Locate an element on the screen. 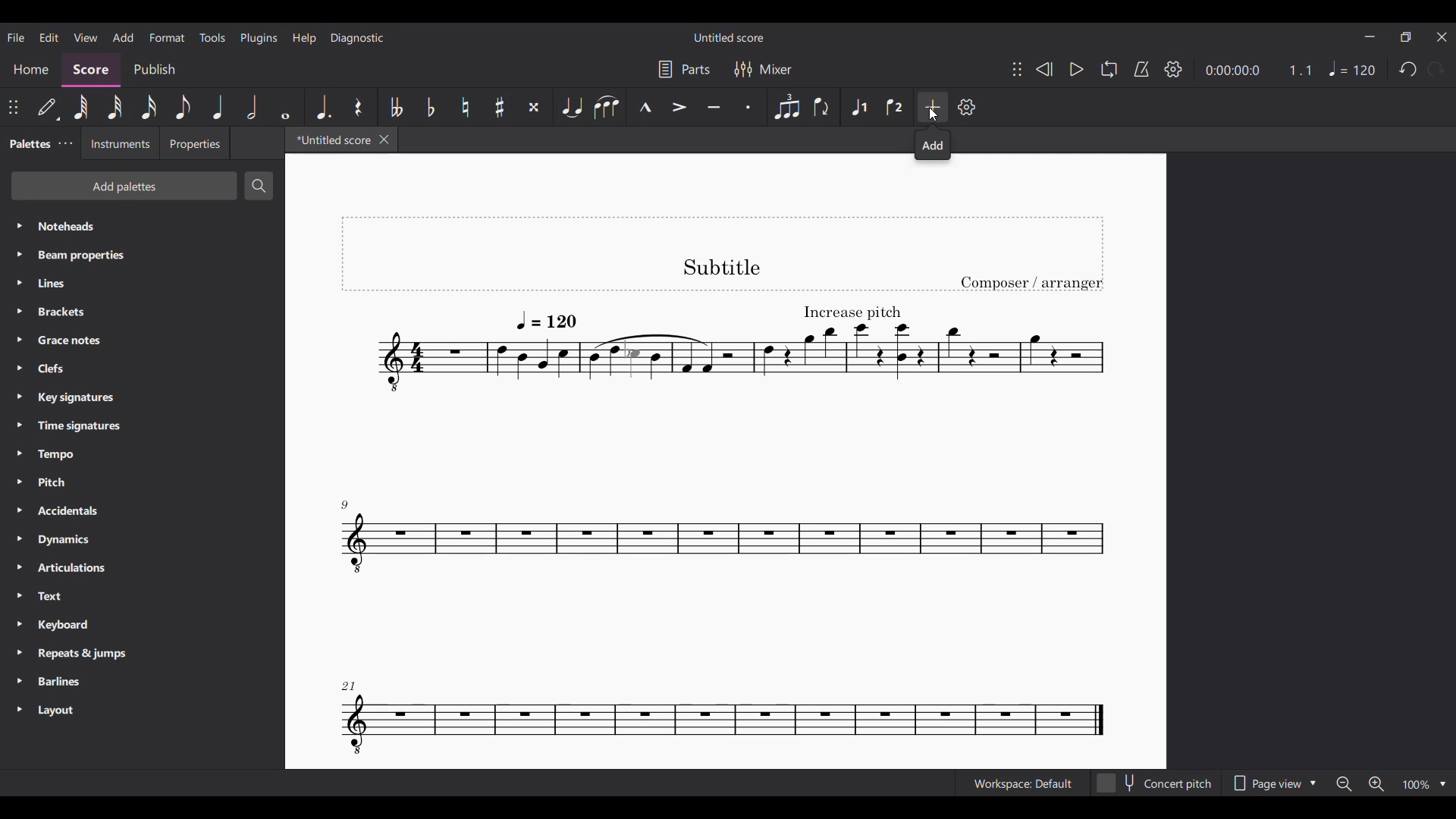  Noteheads is located at coordinates (143, 226).